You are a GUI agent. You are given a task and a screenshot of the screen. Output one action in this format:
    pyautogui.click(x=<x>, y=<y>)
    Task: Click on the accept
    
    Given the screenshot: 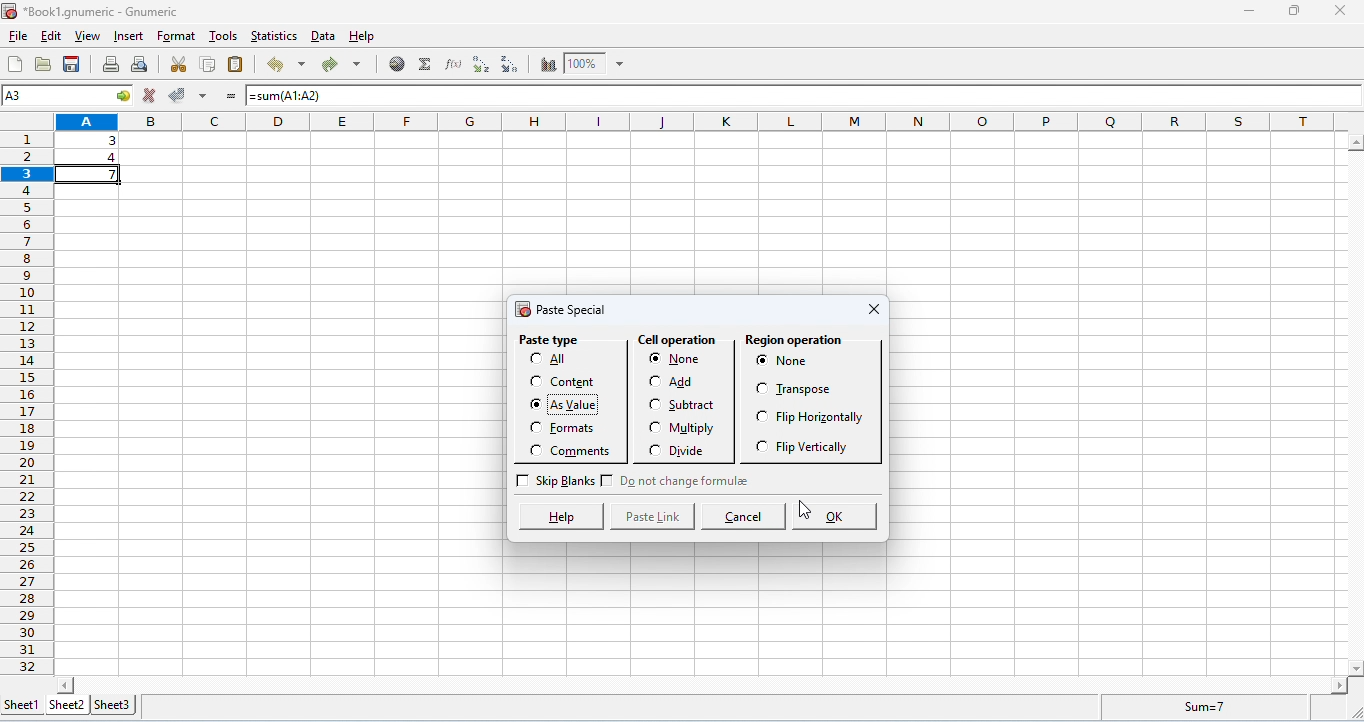 What is the action you would take?
    pyautogui.click(x=177, y=95)
    